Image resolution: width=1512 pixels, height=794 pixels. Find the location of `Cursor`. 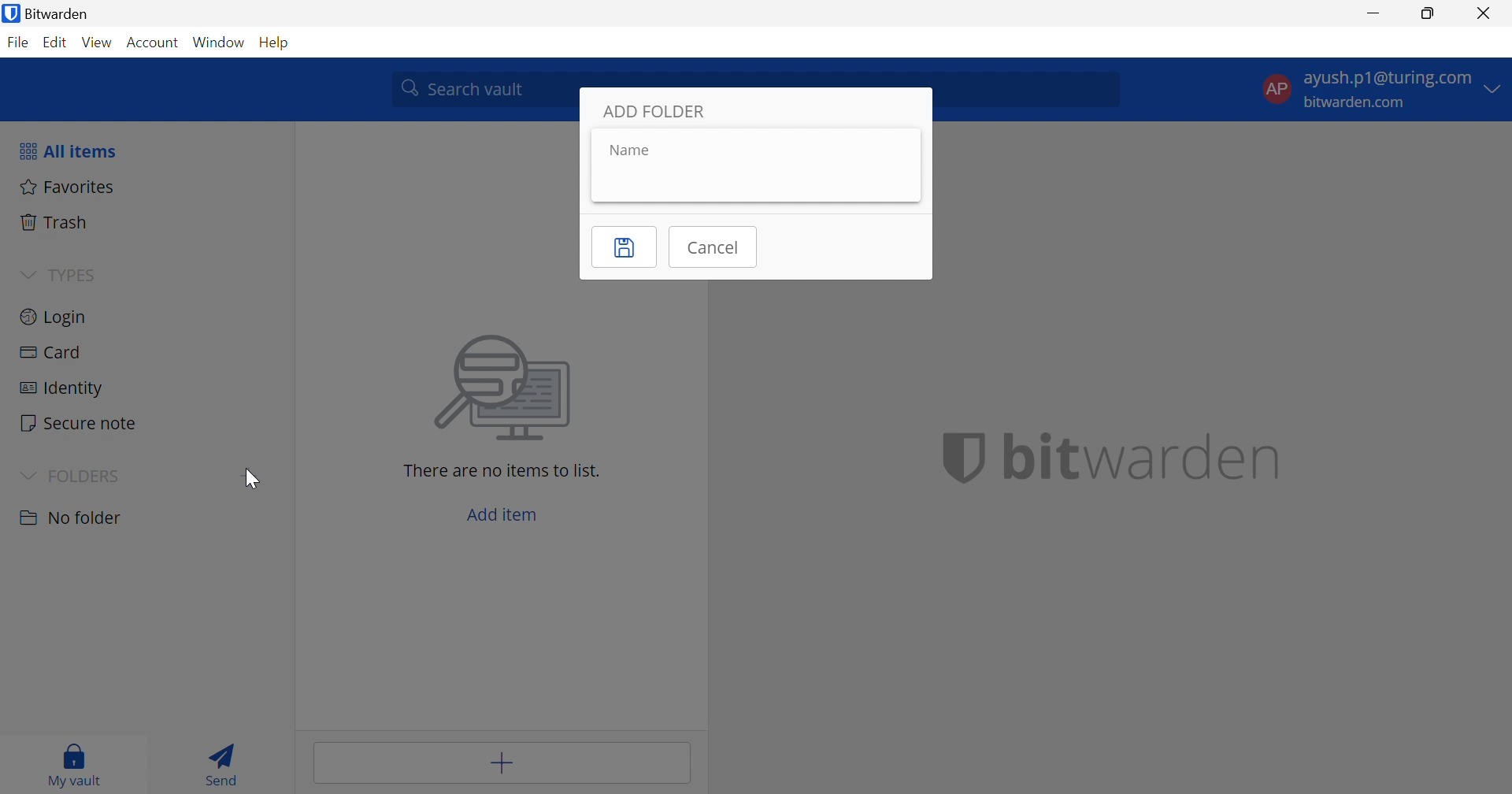

Cursor is located at coordinates (253, 478).